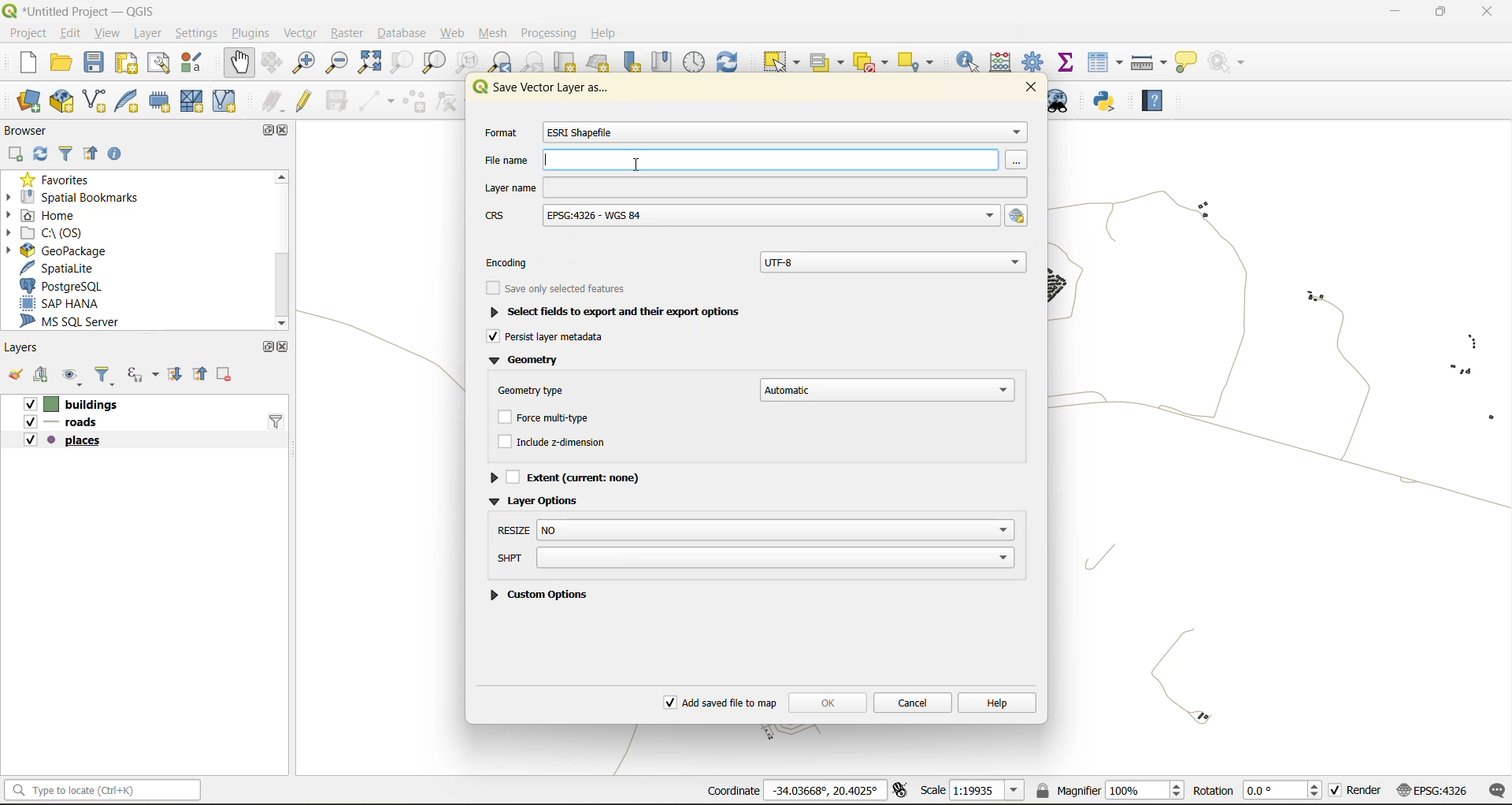  I want to click on magnifier, so click(1112, 789).